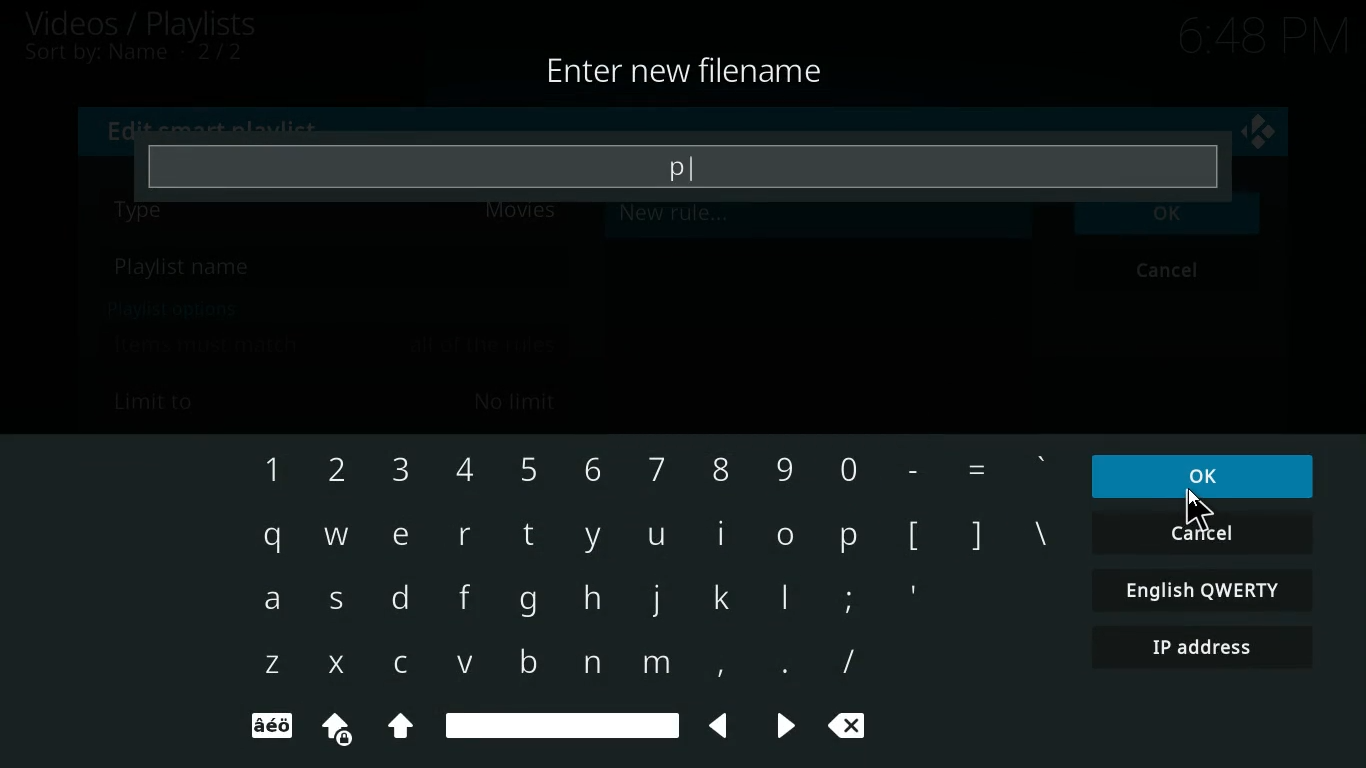 The width and height of the screenshot is (1366, 768). What do you see at coordinates (778, 727) in the screenshot?
I see `forward` at bounding box center [778, 727].